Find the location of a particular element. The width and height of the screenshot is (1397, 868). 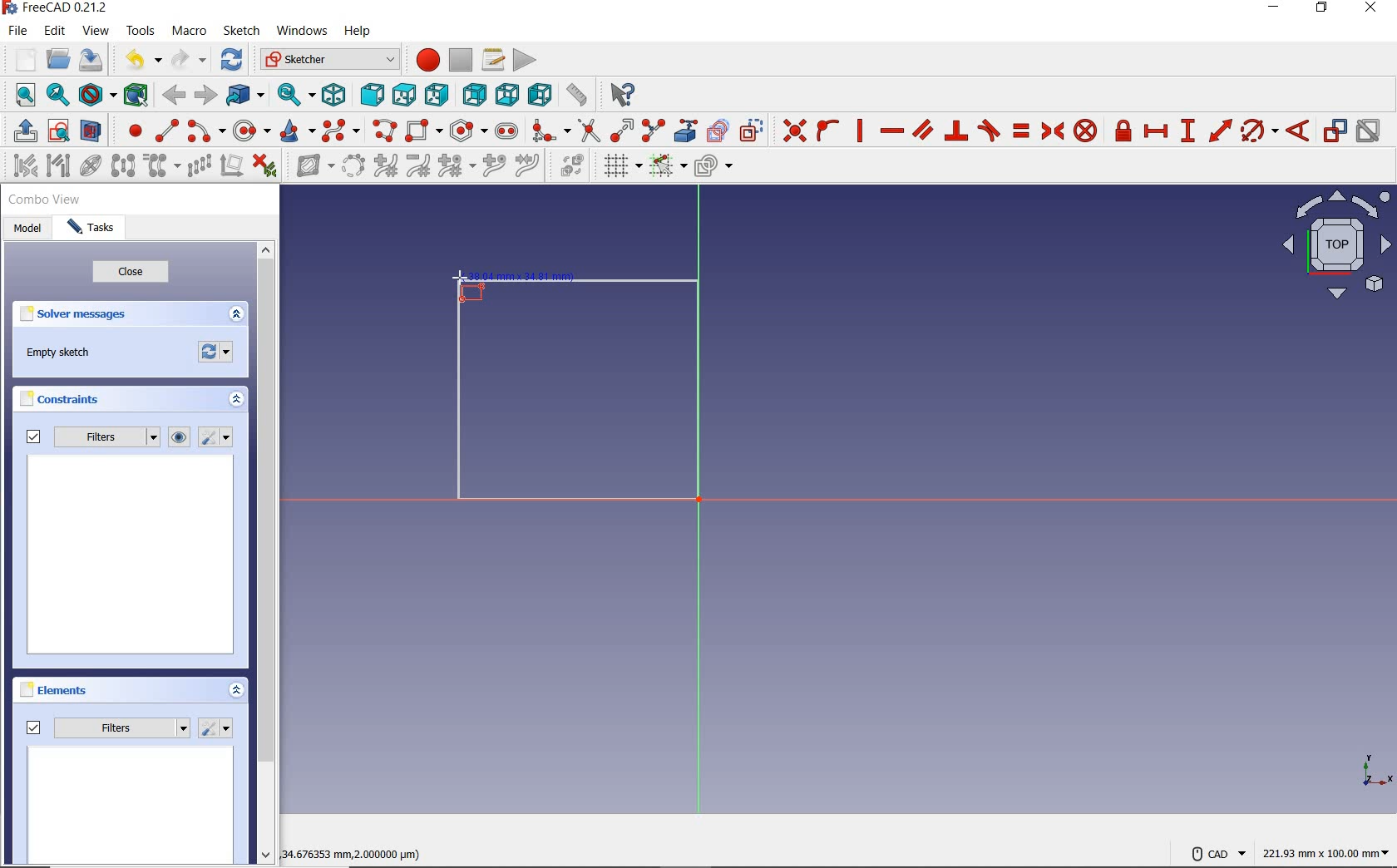

leave sketch is located at coordinates (22, 131).